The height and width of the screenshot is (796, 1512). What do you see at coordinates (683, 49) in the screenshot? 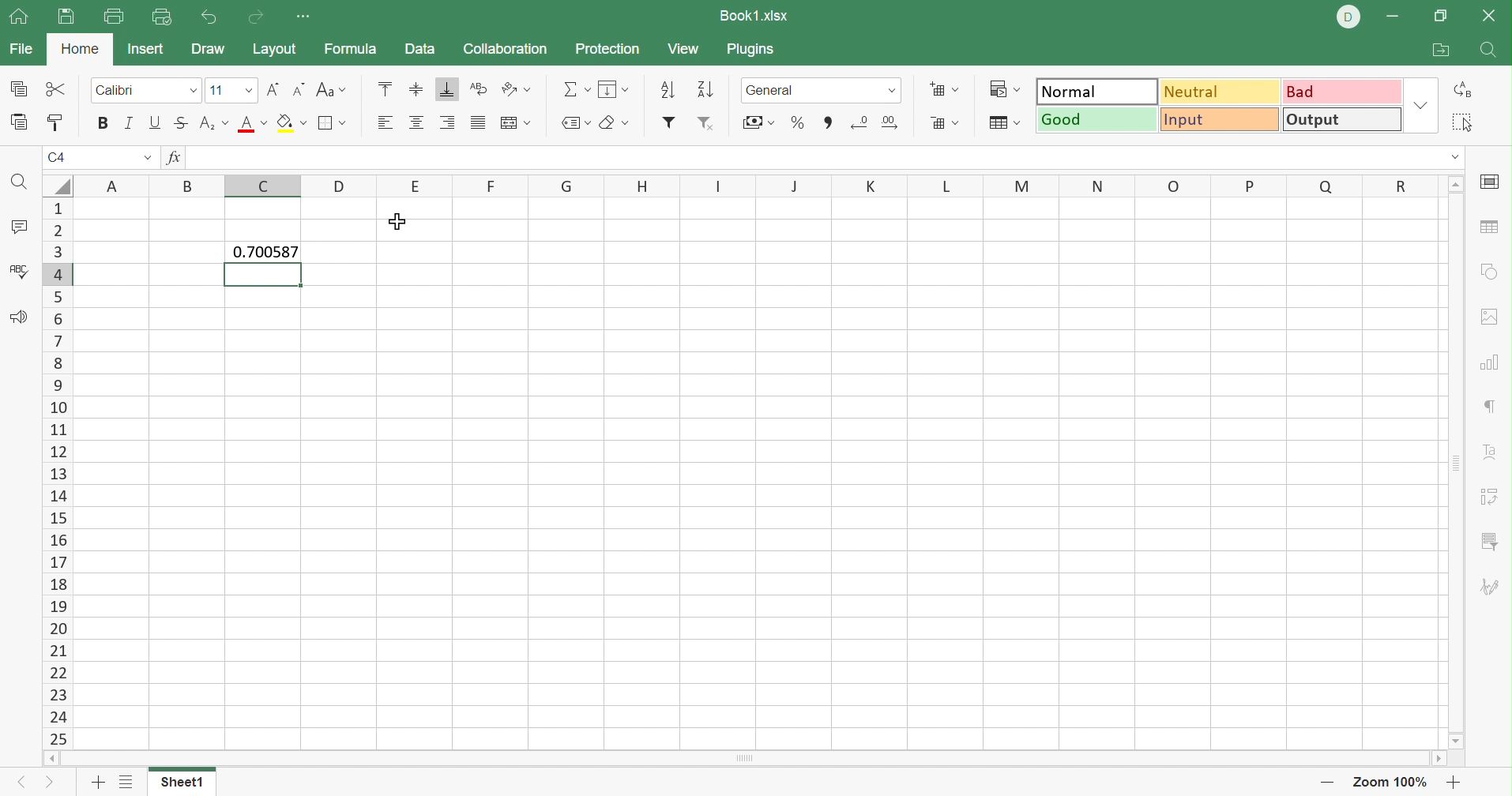
I see `View` at bounding box center [683, 49].